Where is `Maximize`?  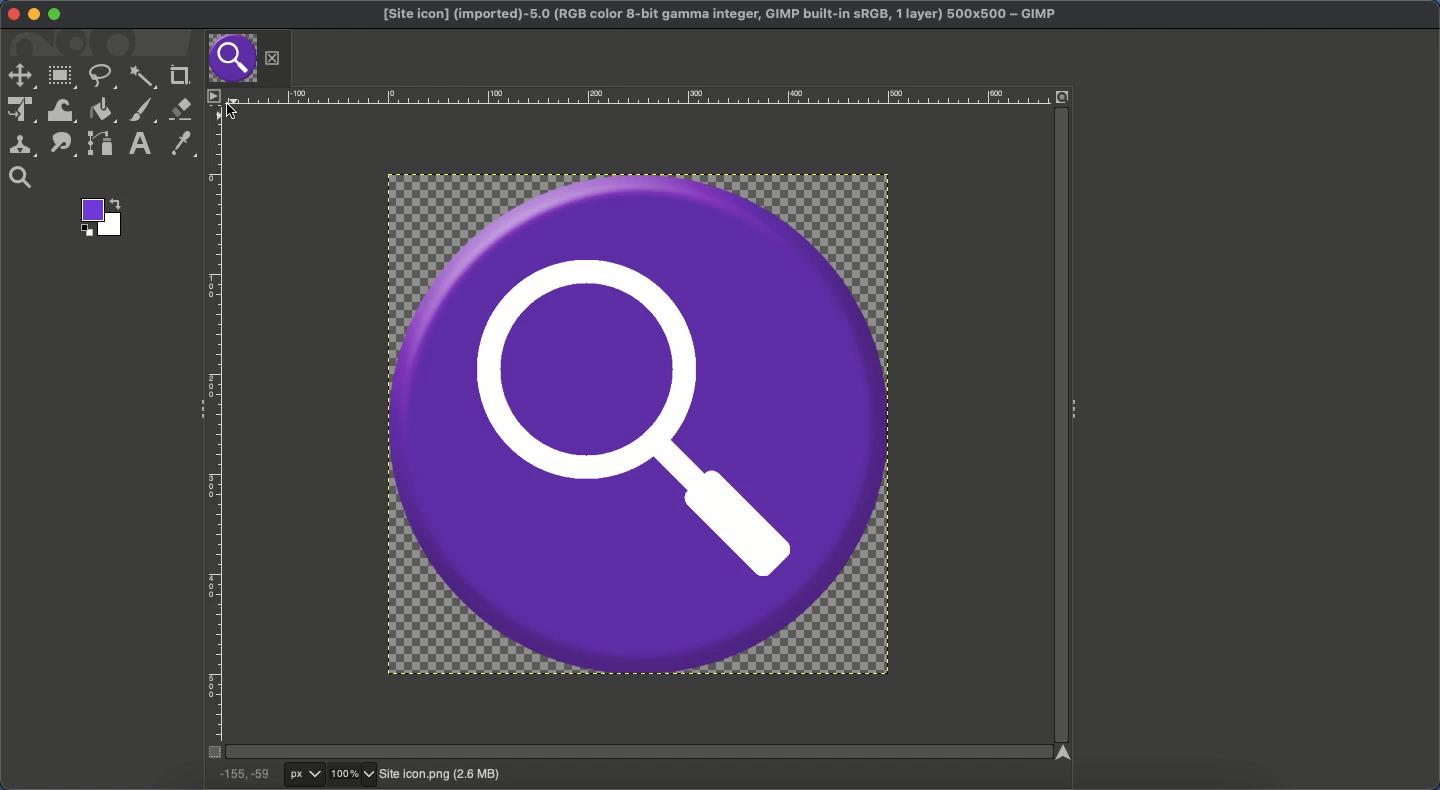
Maximize is located at coordinates (55, 15).